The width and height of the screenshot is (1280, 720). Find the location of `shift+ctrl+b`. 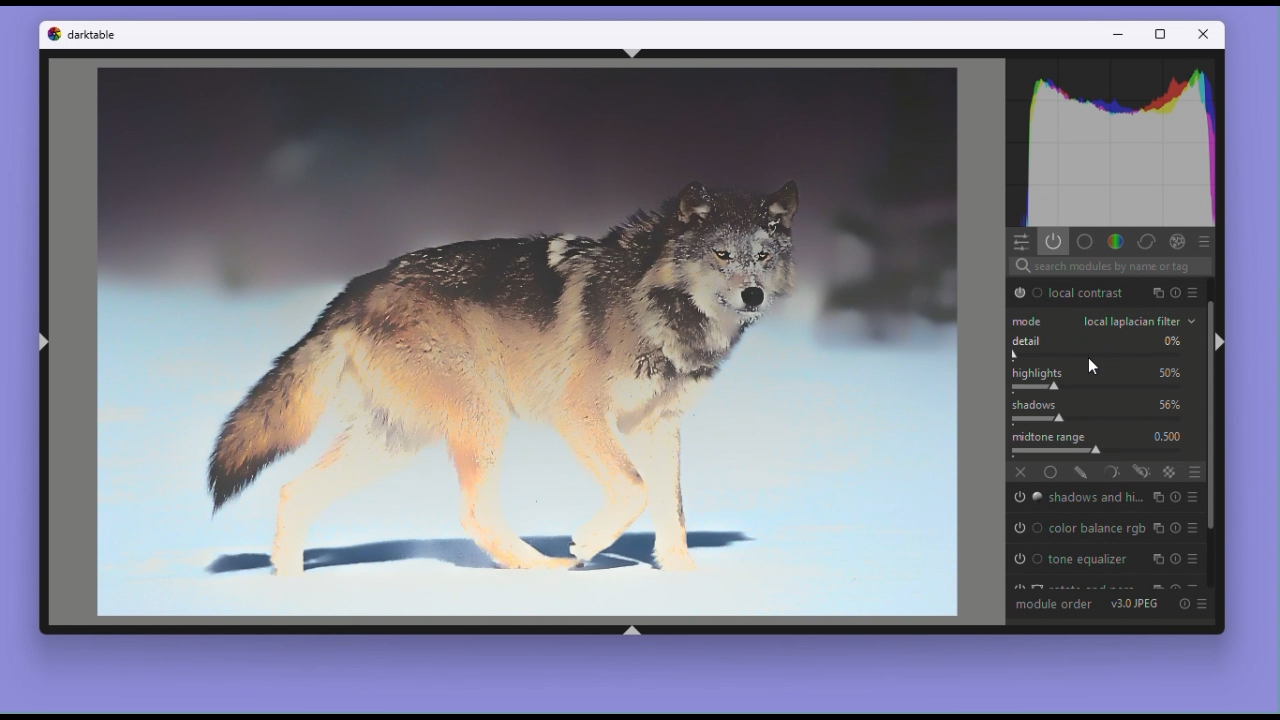

shift+ctrl+b is located at coordinates (631, 631).